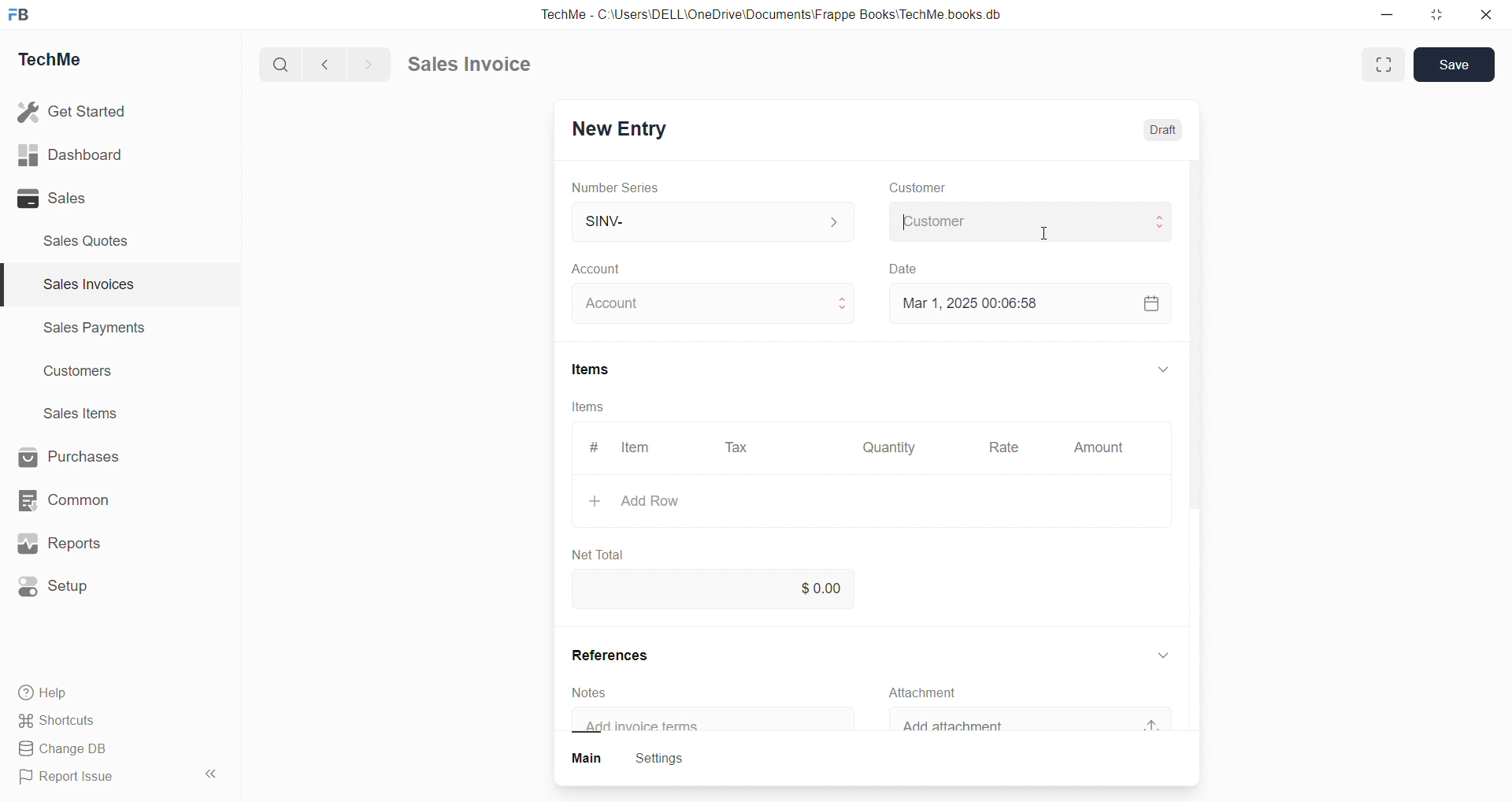  Describe the element at coordinates (1150, 302) in the screenshot. I see `Calendar` at that location.